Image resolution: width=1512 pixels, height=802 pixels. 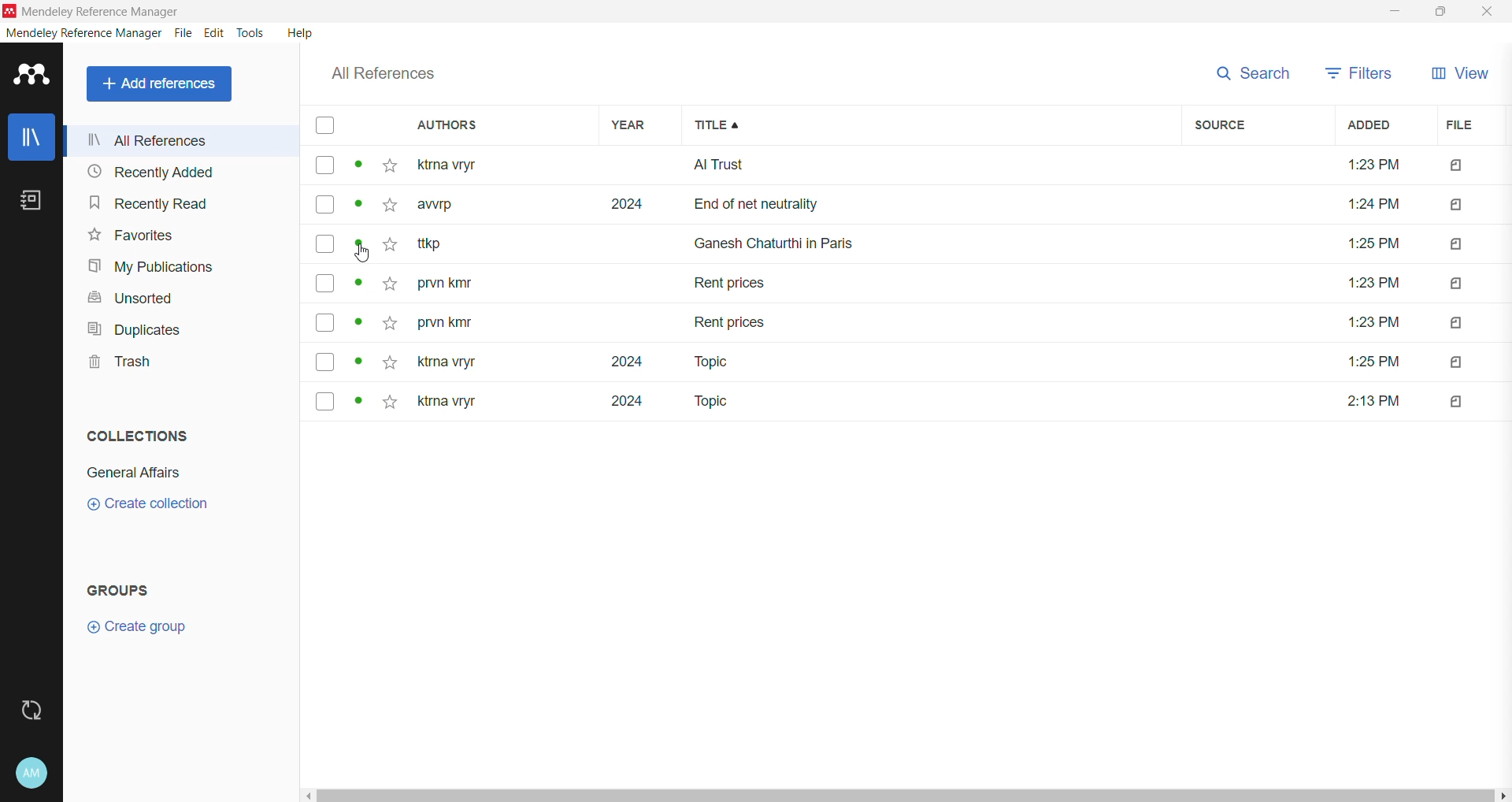 I want to click on Click to add the reference item to Favorites, so click(x=394, y=284).